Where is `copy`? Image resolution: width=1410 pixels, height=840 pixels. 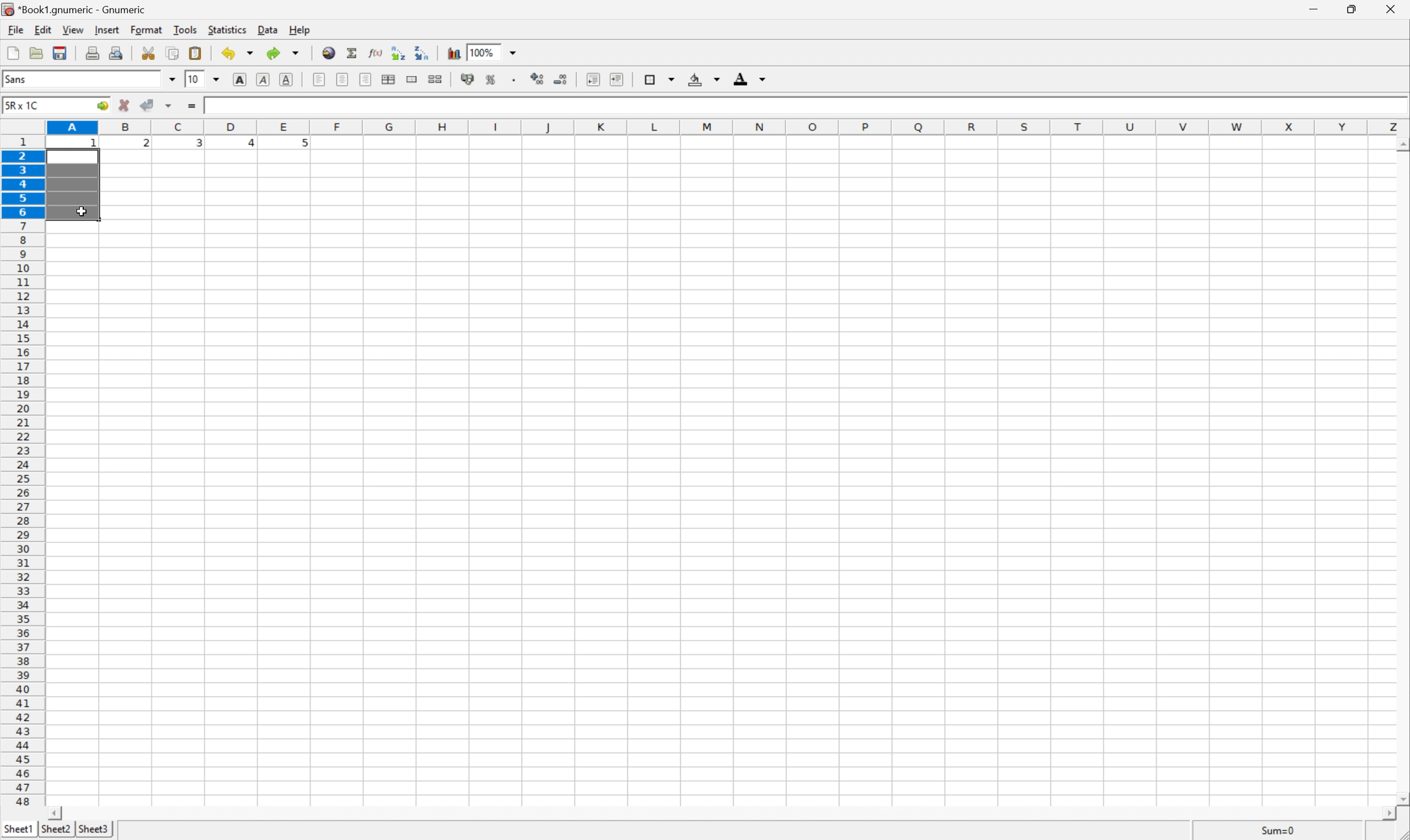 copy is located at coordinates (174, 52).